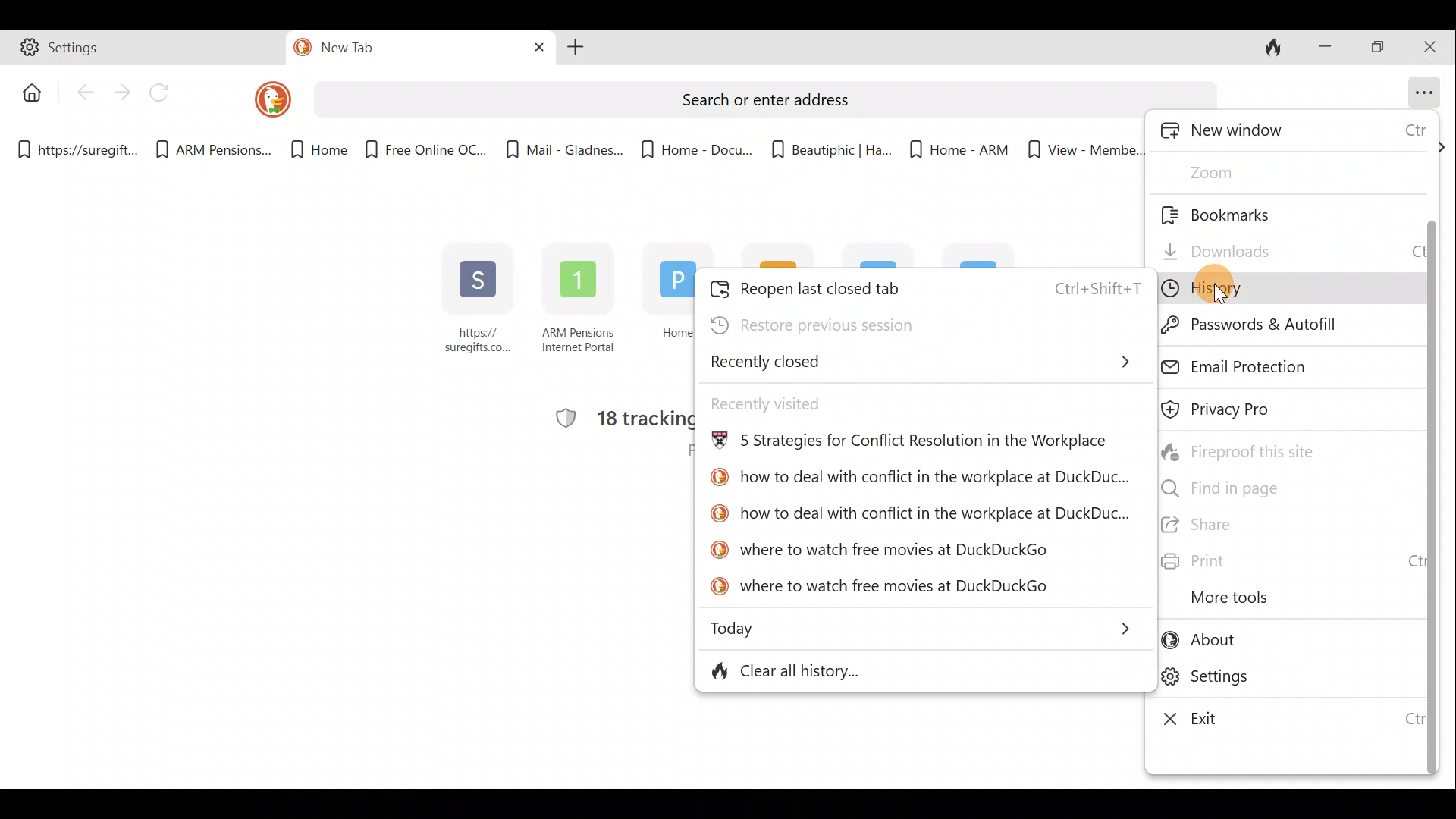  What do you see at coordinates (1285, 526) in the screenshot?
I see `Share` at bounding box center [1285, 526].